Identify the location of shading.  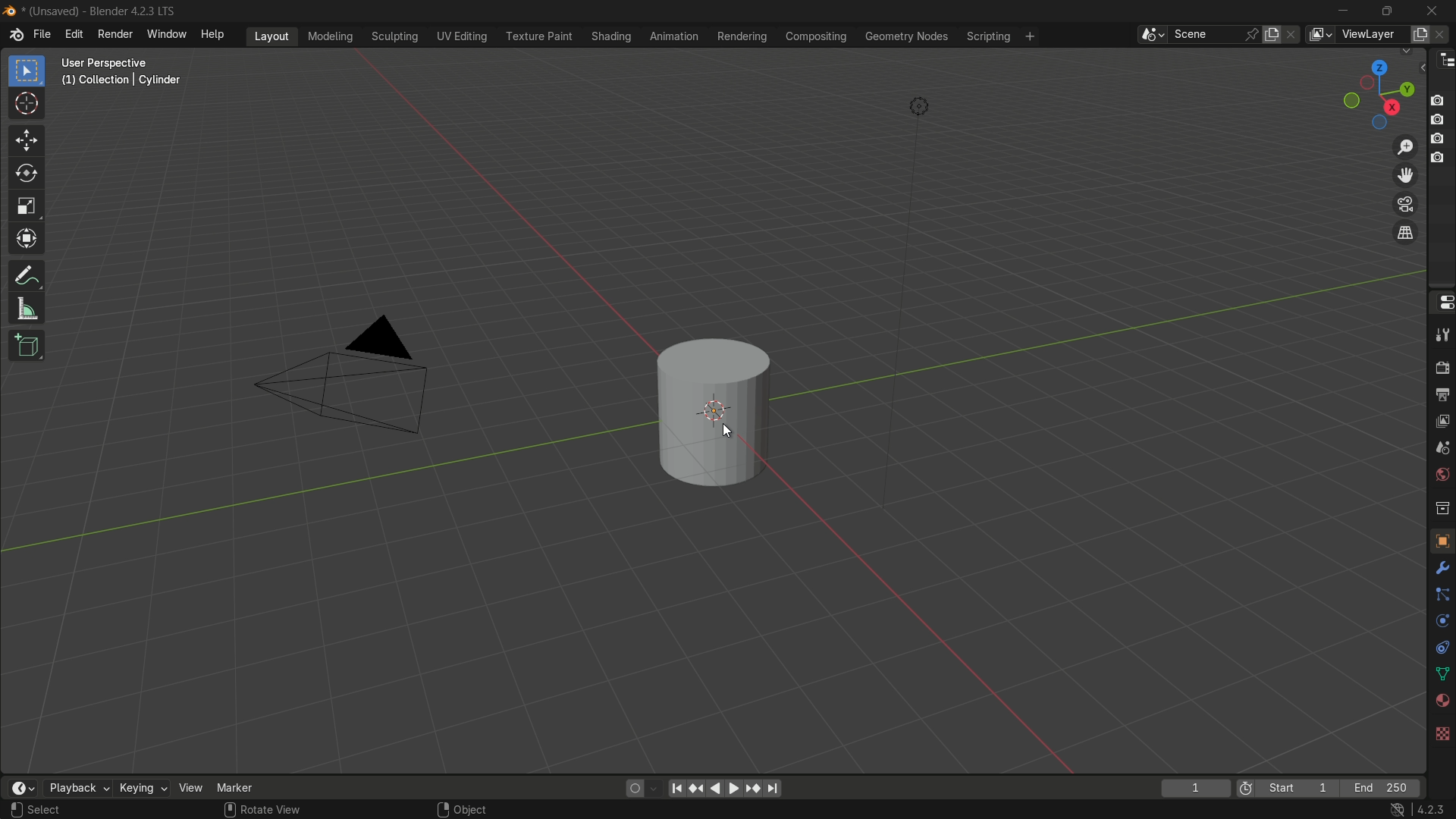
(609, 36).